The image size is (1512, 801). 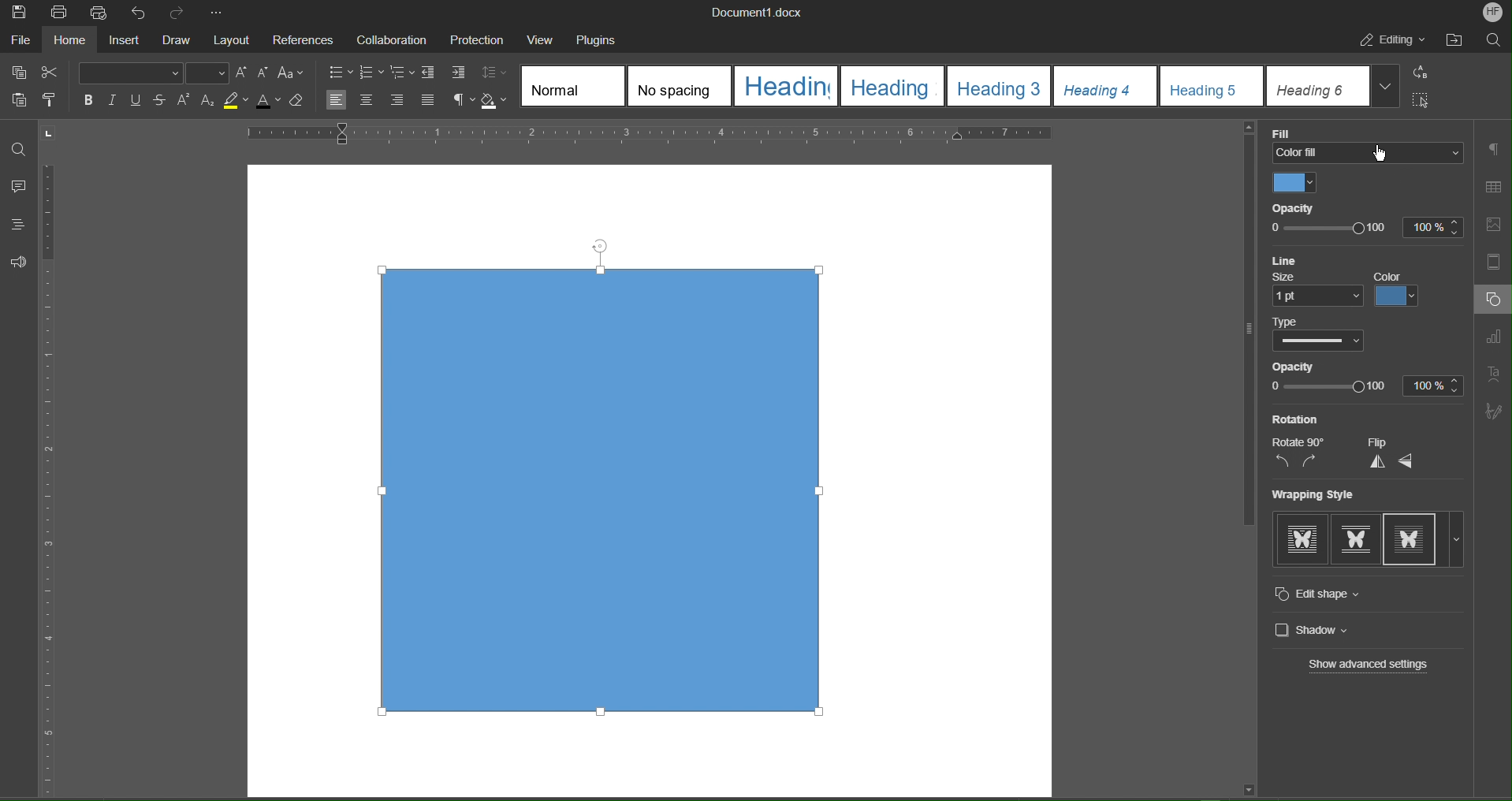 I want to click on Headings, so click(x=20, y=225).